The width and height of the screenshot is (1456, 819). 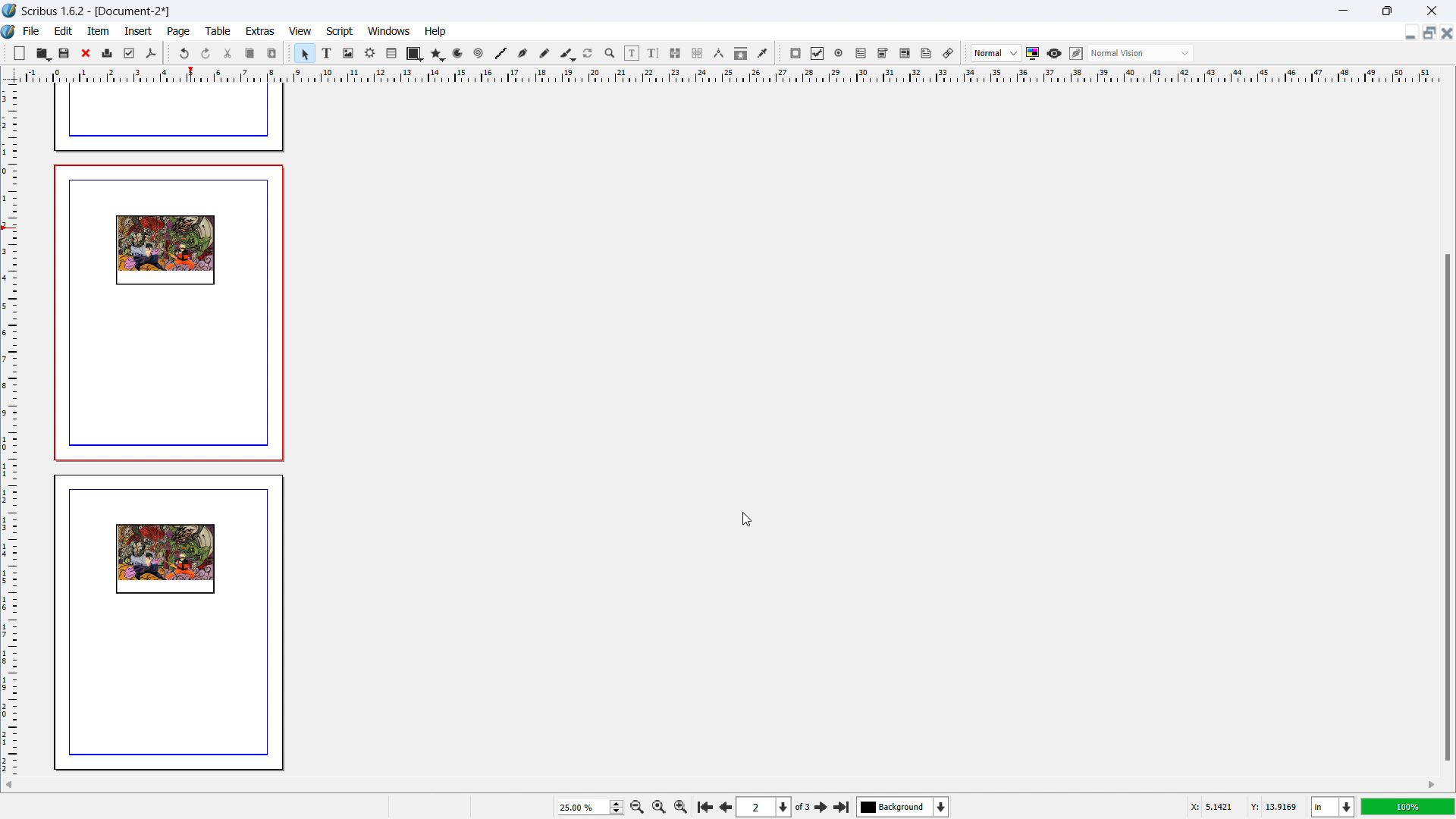 I want to click on pdf list box, so click(x=905, y=54).